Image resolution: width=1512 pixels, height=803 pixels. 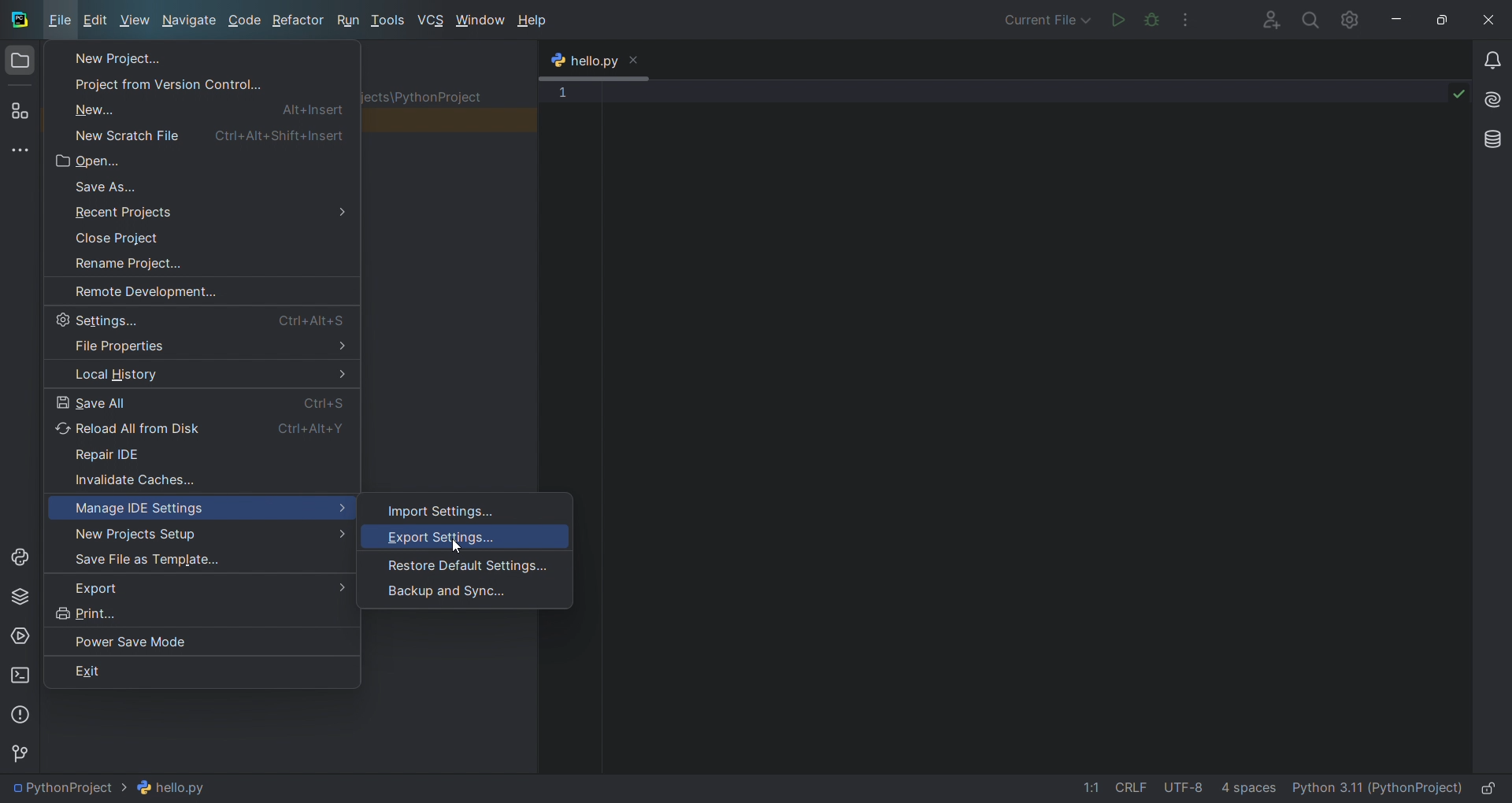 What do you see at coordinates (1169, 786) in the screenshot?
I see `file data` at bounding box center [1169, 786].